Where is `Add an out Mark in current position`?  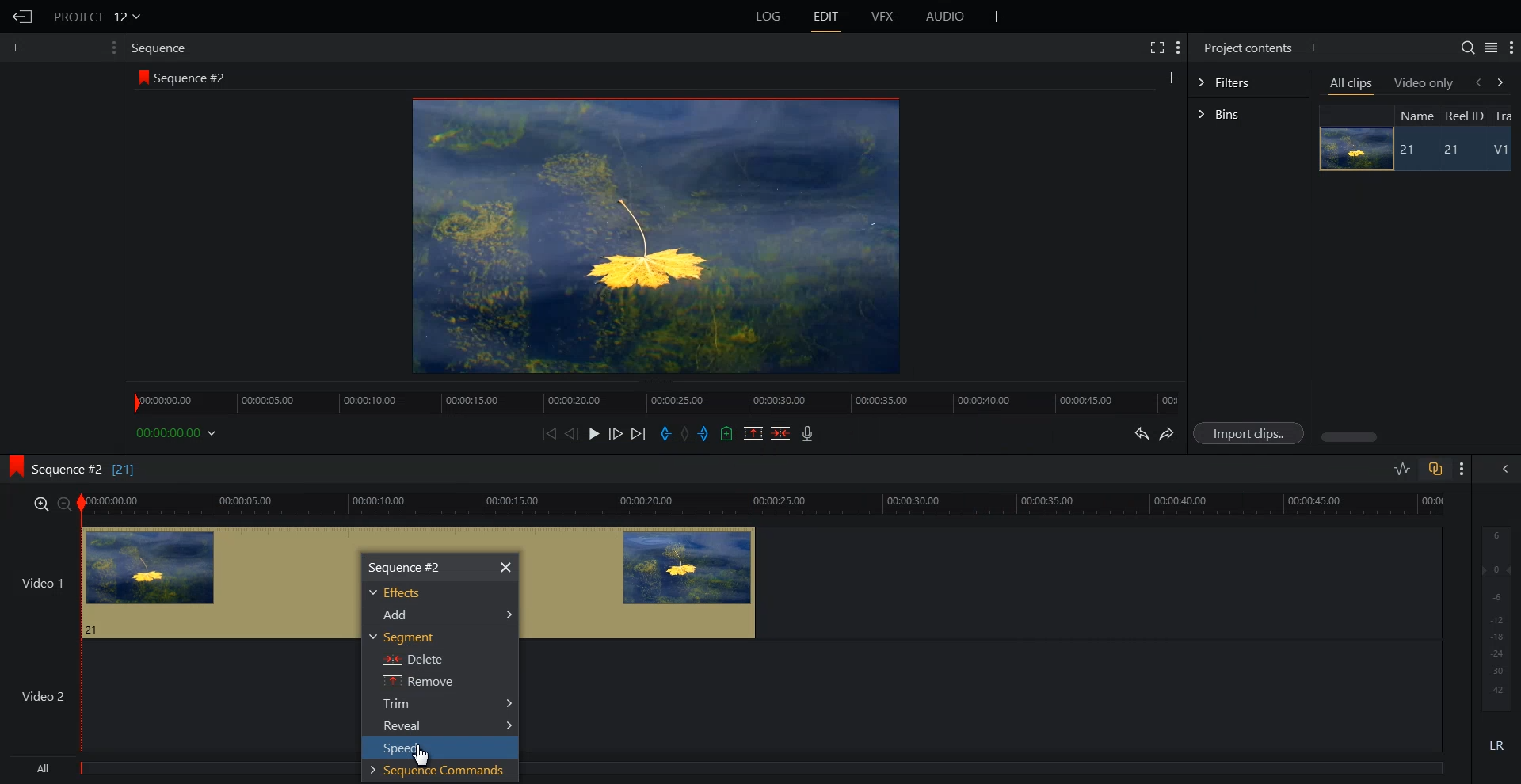
Add an out Mark in current position is located at coordinates (706, 433).